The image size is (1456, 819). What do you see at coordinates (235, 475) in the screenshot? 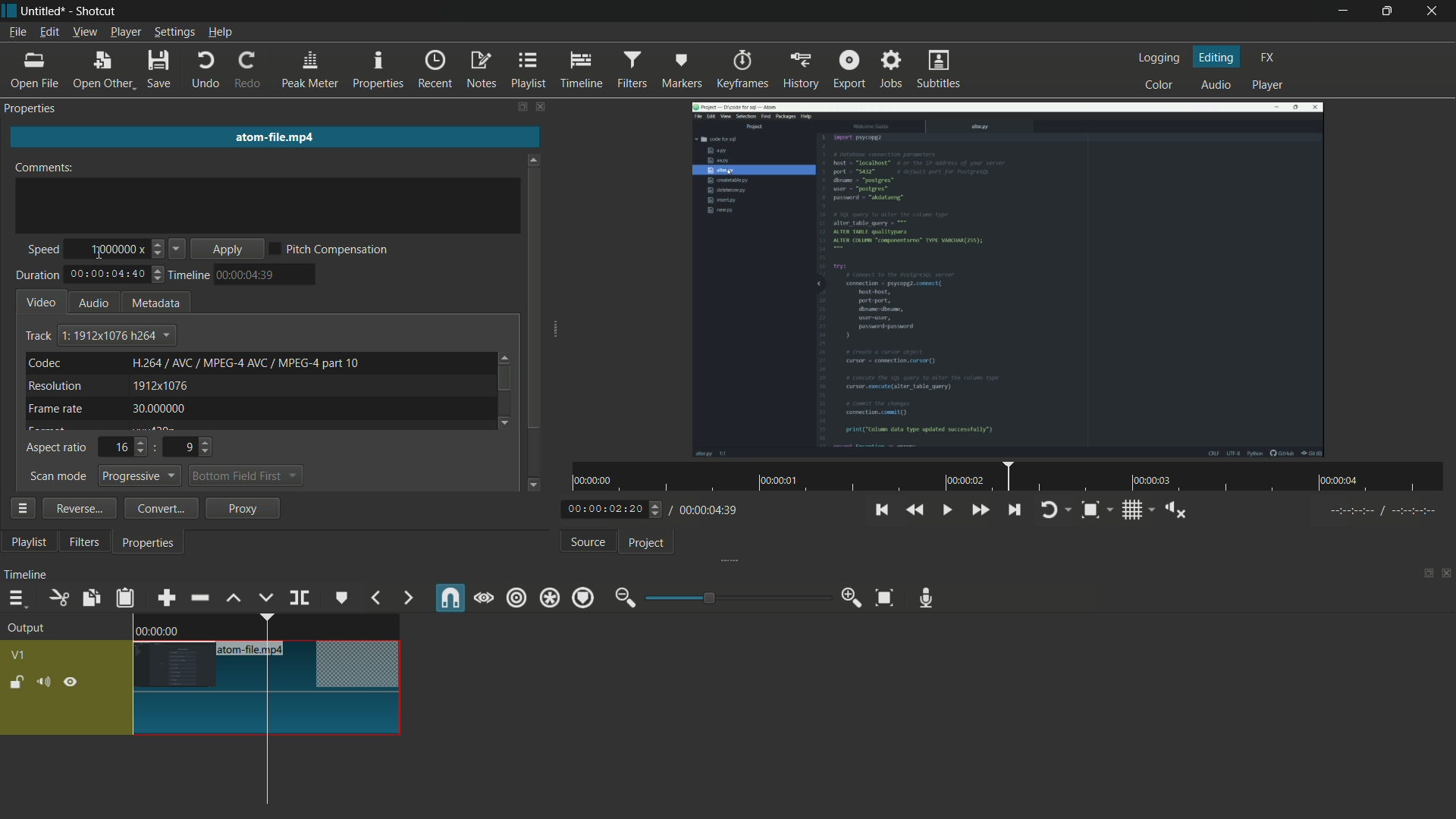
I see `bottom field first` at bounding box center [235, 475].